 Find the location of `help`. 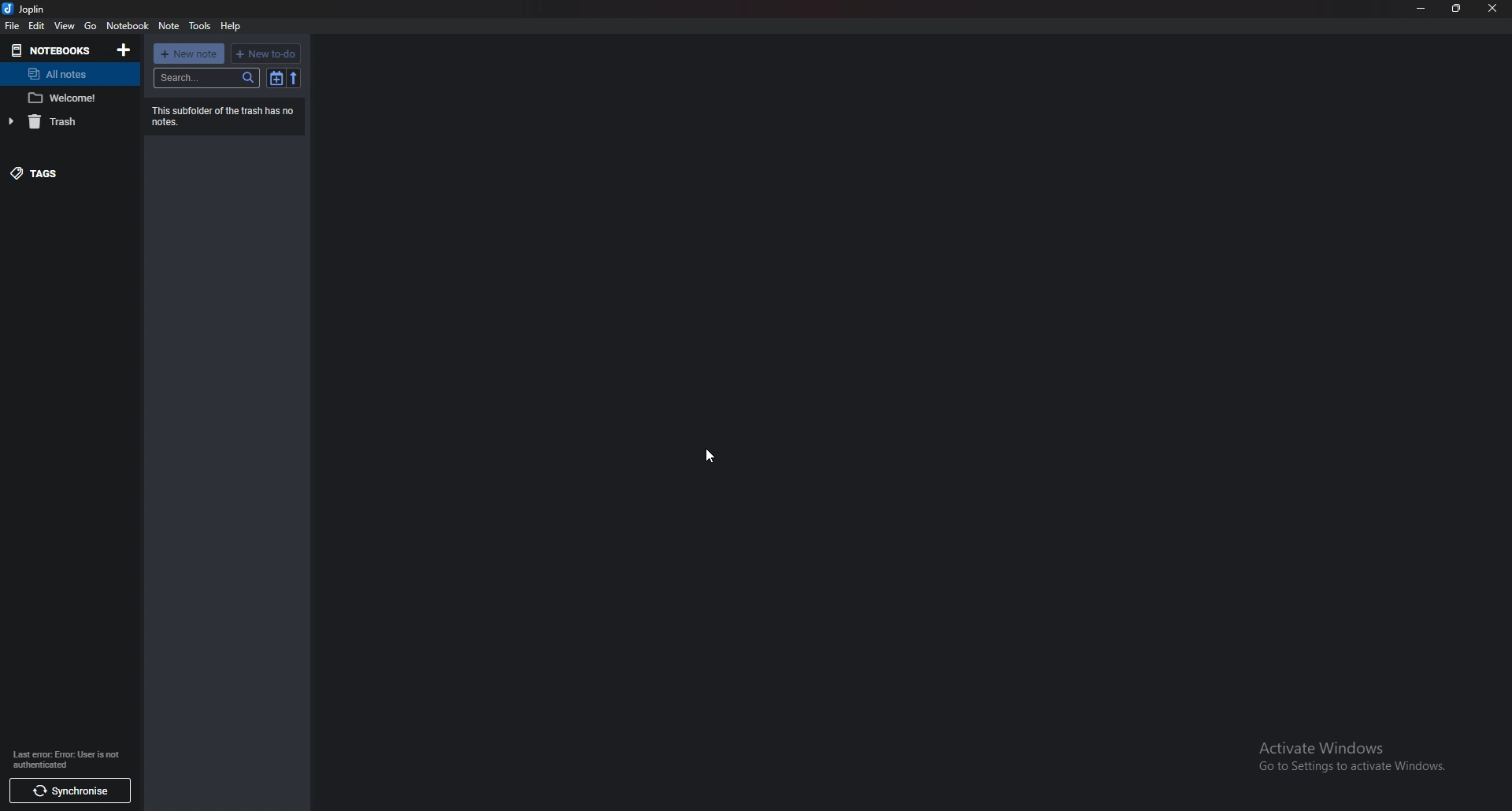

help is located at coordinates (232, 27).